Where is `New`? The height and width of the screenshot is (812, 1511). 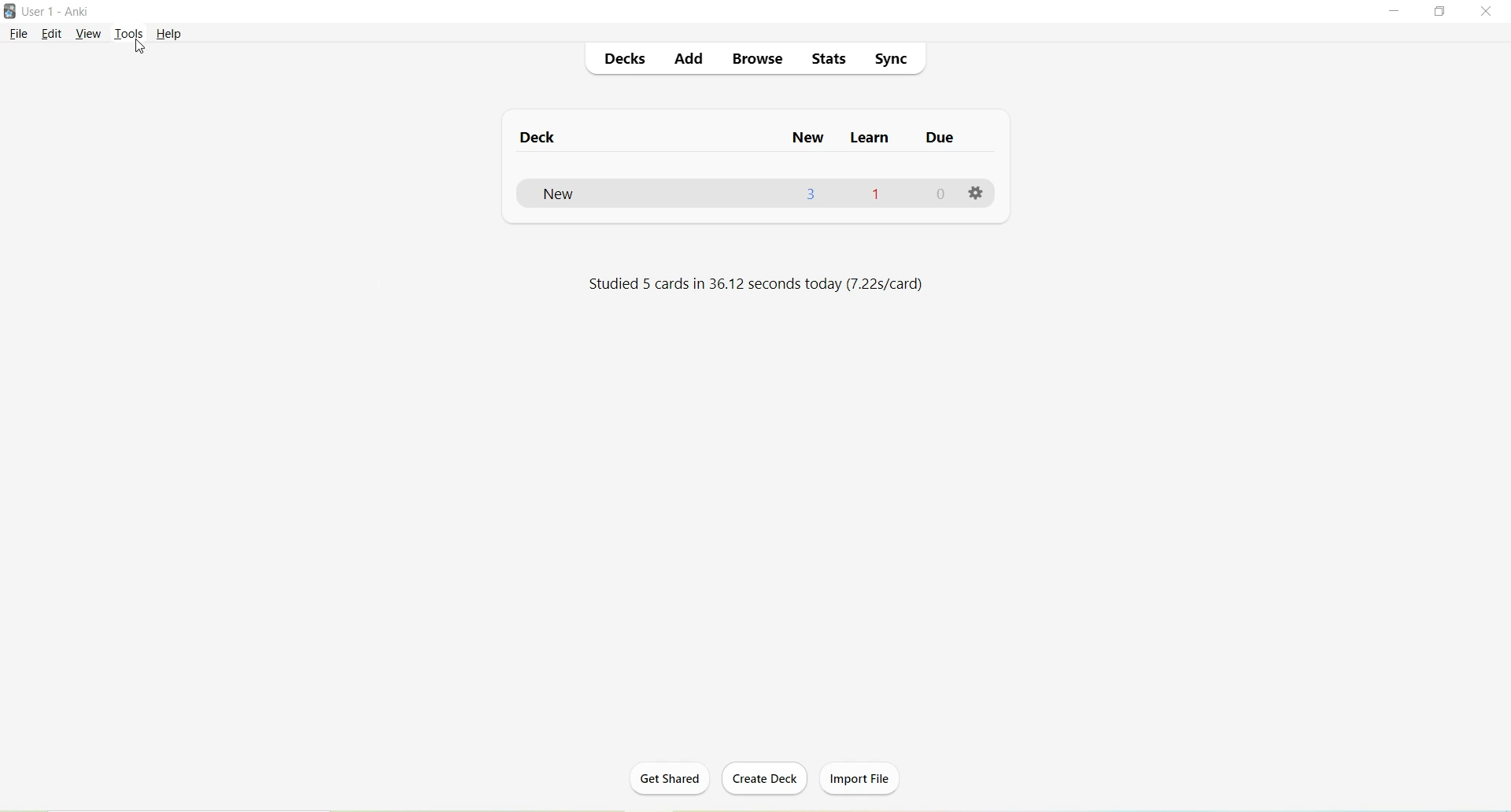 New is located at coordinates (579, 194).